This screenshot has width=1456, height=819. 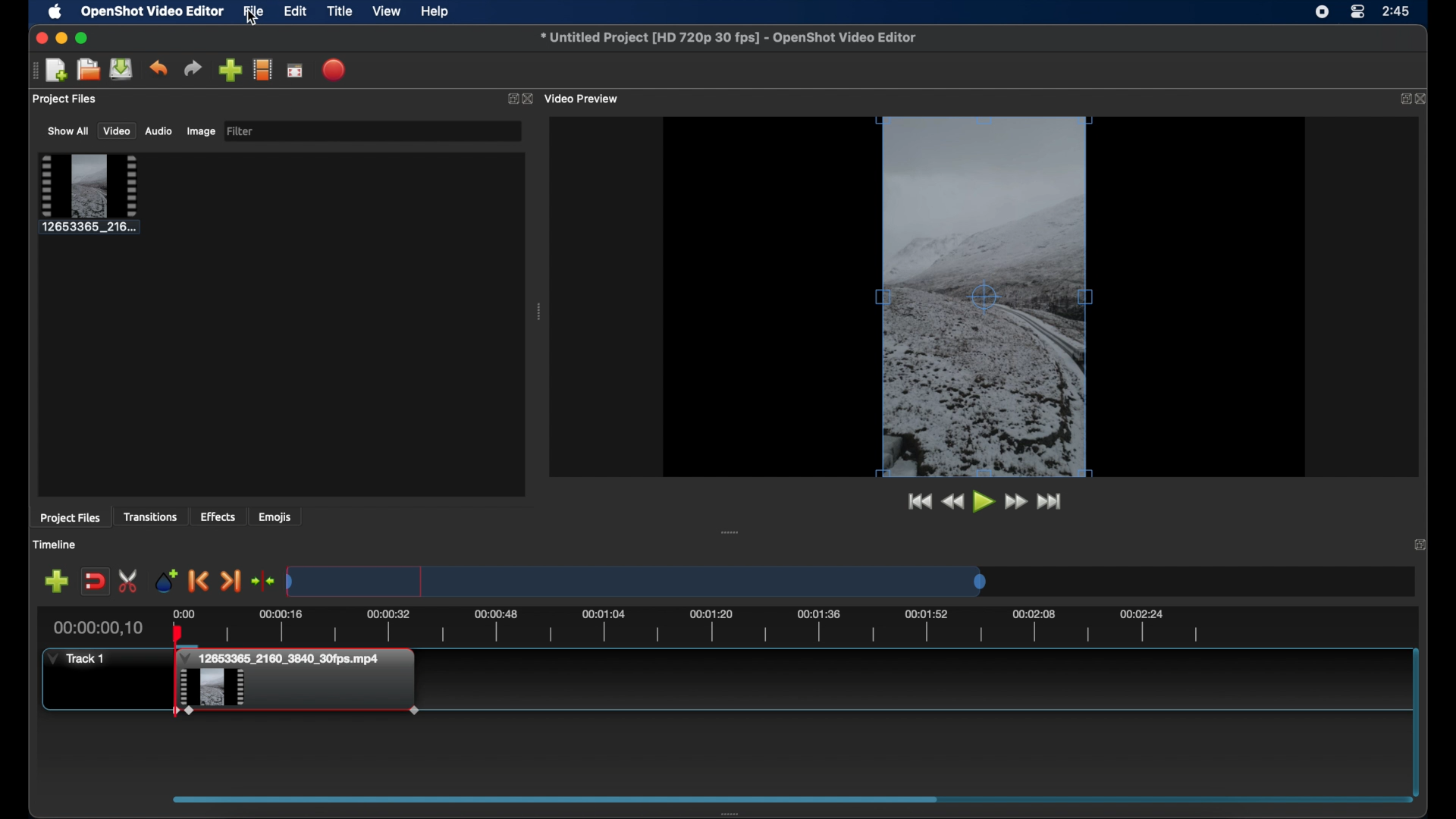 What do you see at coordinates (166, 579) in the screenshot?
I see `add marker` at bounding box center [166, 579].